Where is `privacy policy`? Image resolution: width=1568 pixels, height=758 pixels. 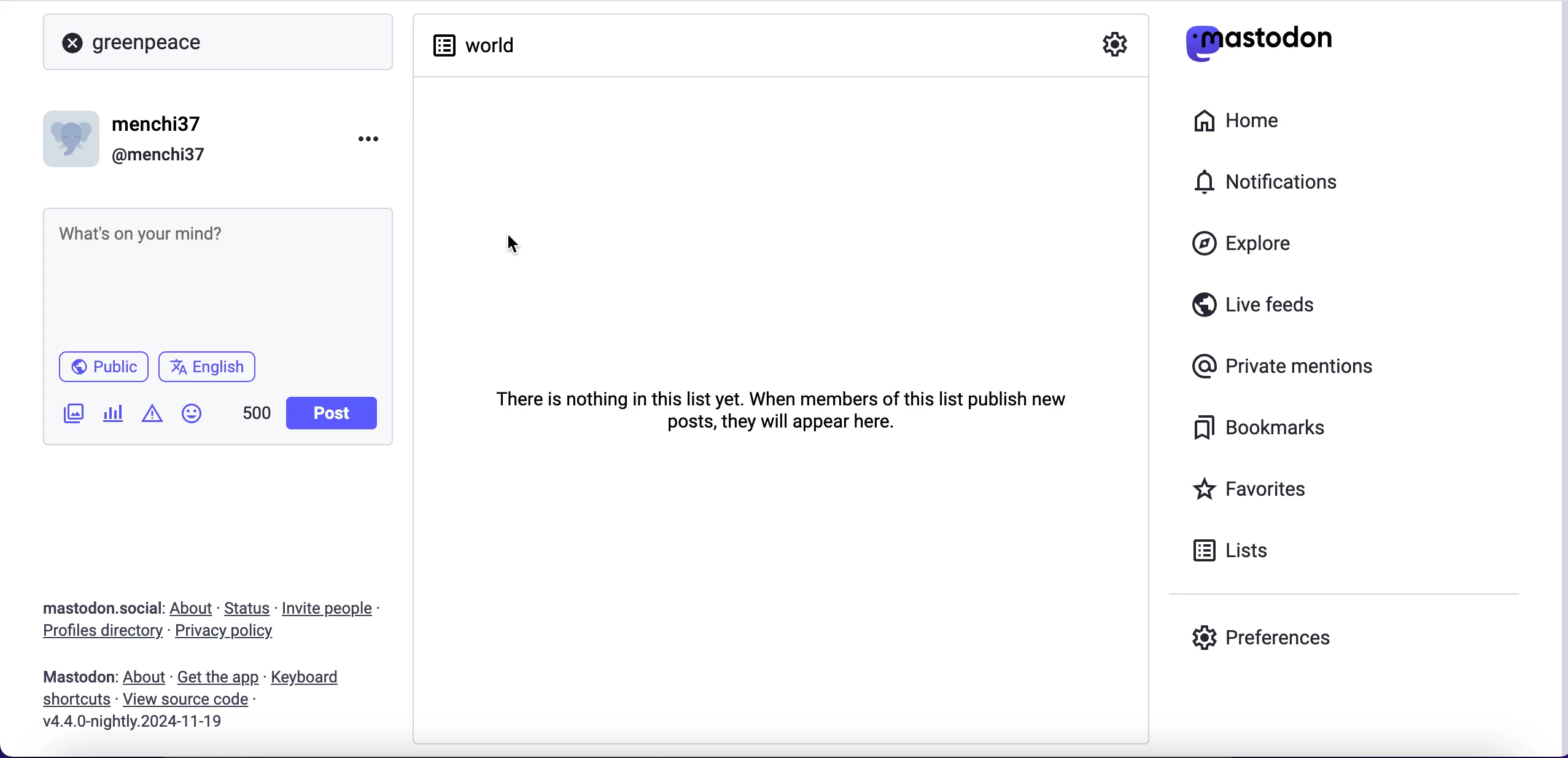
privacy policy is located at coordinates (235, 633).